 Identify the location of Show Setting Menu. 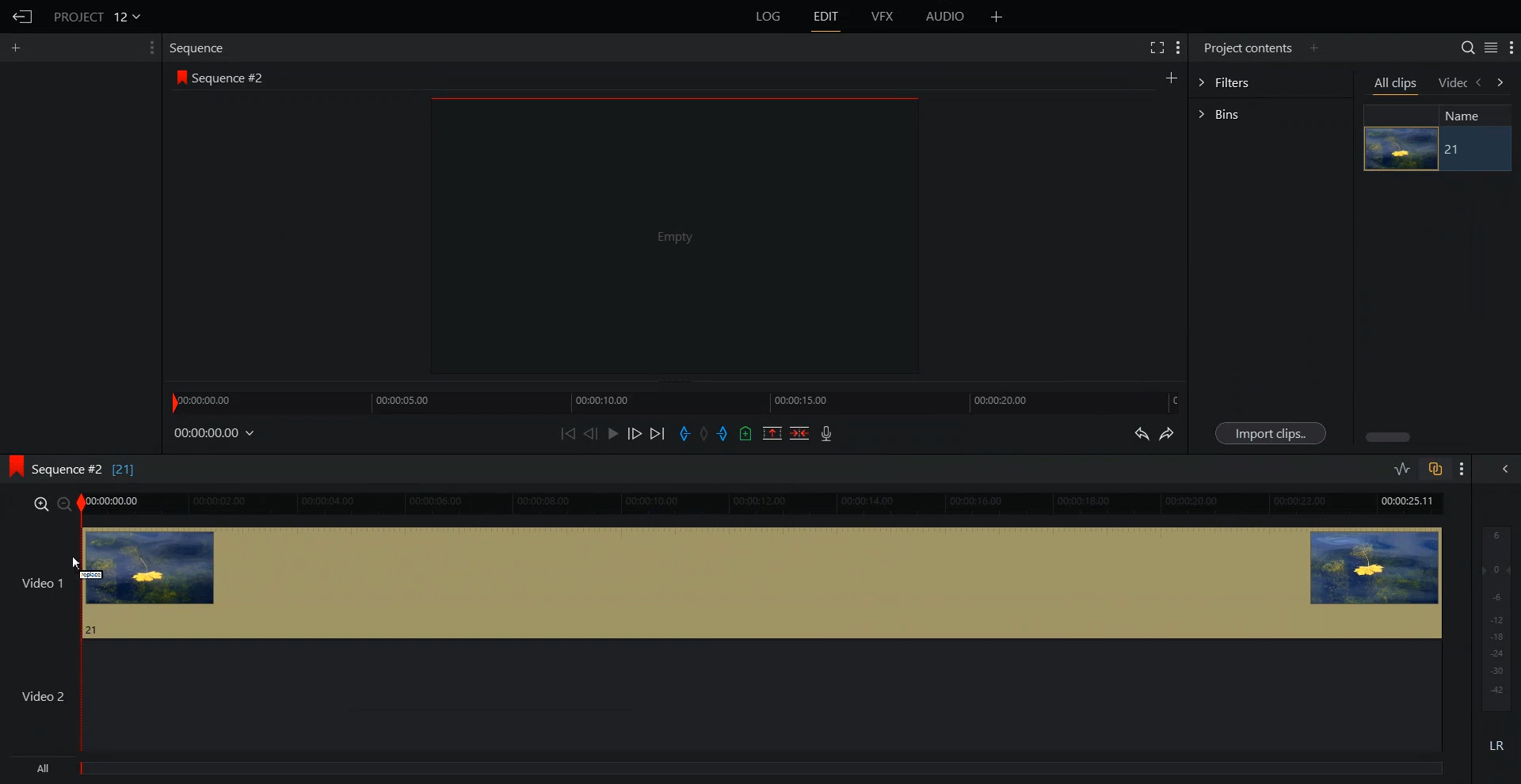
(150, 48).